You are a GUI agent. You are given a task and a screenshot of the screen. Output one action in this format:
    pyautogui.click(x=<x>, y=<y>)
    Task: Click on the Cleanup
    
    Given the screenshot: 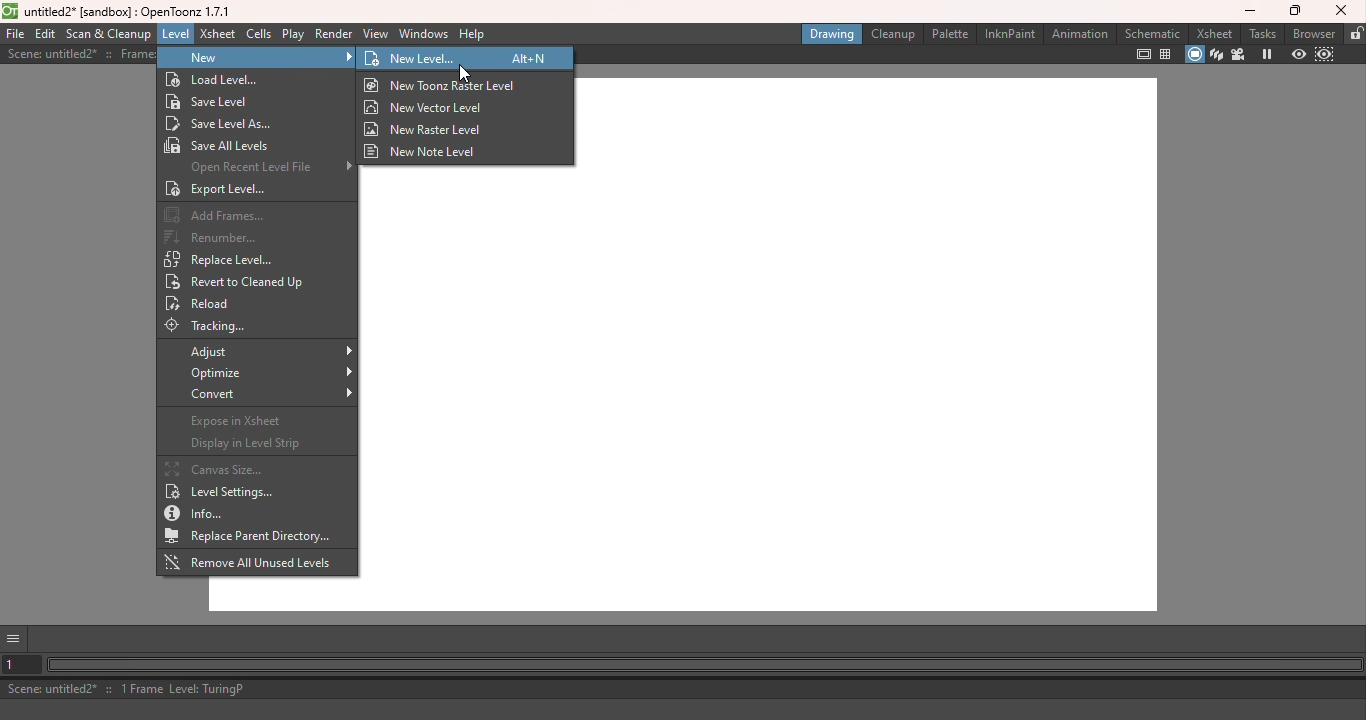 What is the action you would take?
    pyautogui.click(x=893, y=33)
    